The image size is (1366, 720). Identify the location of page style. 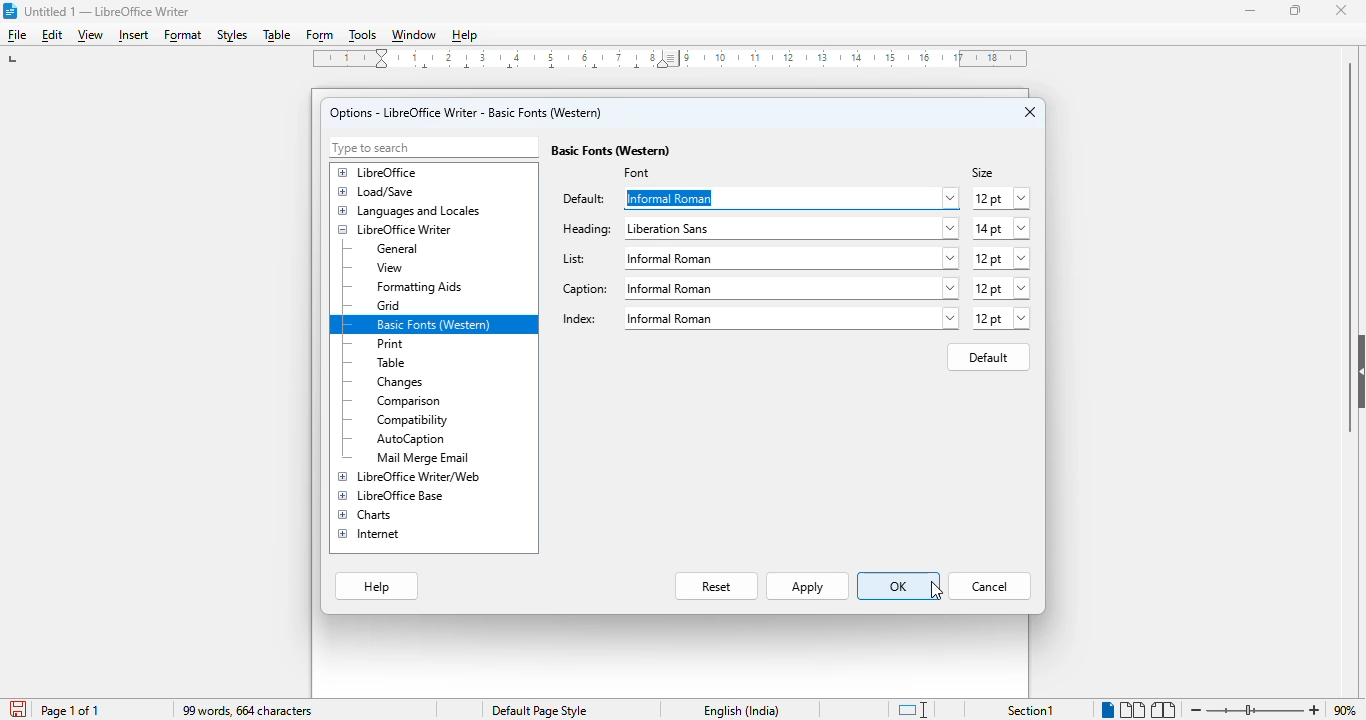
(540, 711).